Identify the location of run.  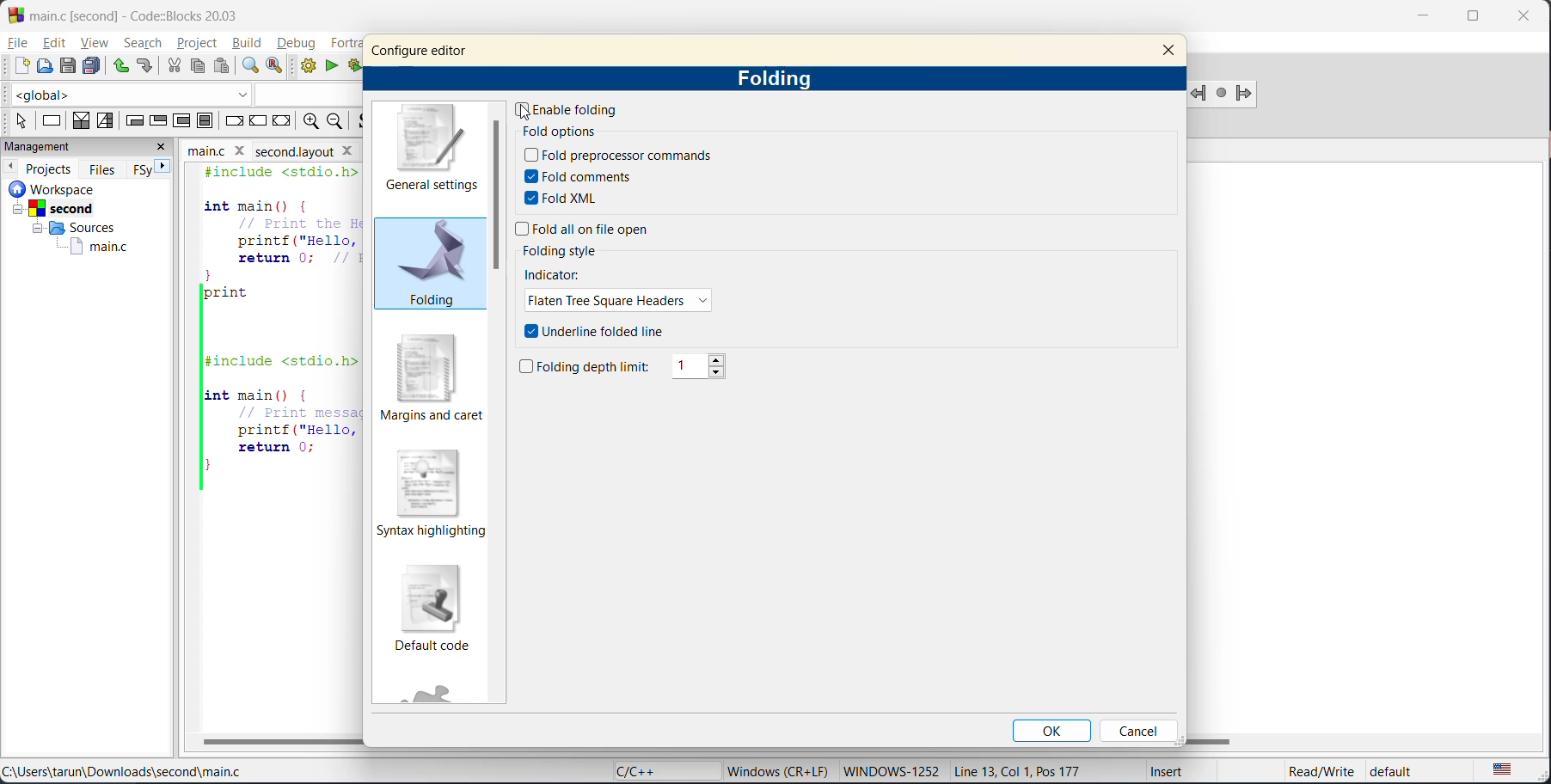
(335, 69).